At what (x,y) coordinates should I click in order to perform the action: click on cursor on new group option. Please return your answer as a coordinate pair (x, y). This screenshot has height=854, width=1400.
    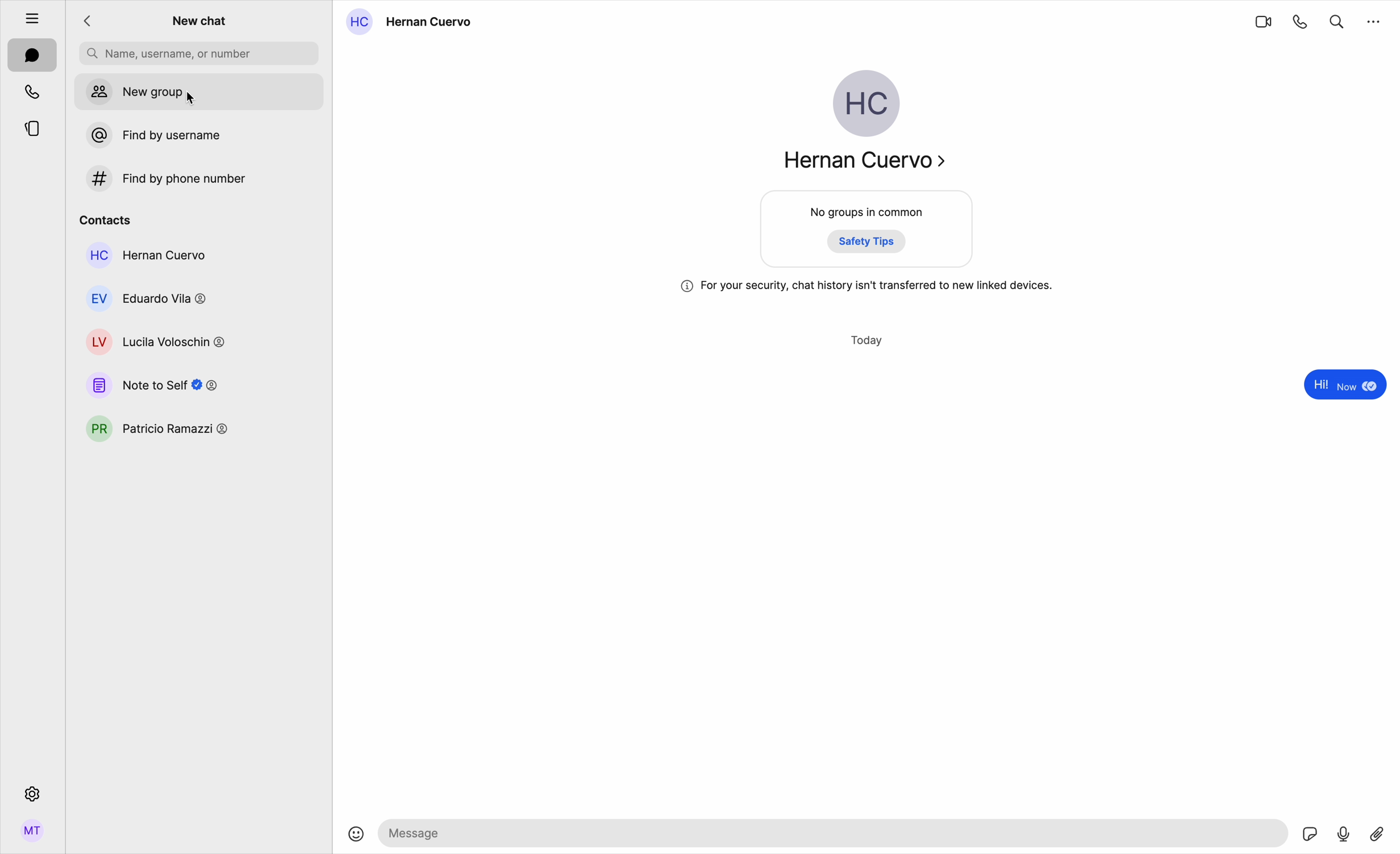
    Looking at the image, I should click on (199, 93).